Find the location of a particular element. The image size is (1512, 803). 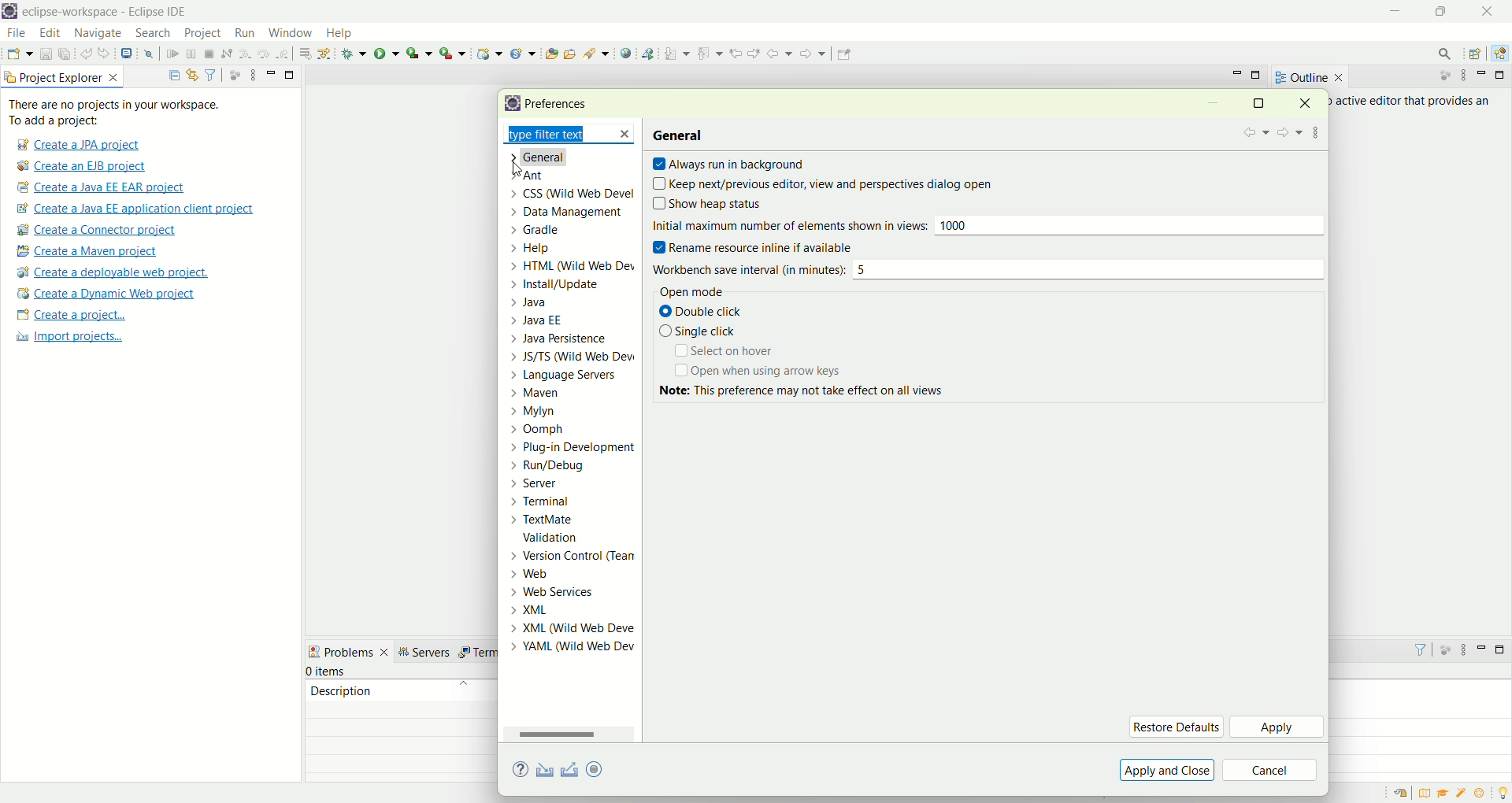

project is located at coordinates (202, 33).